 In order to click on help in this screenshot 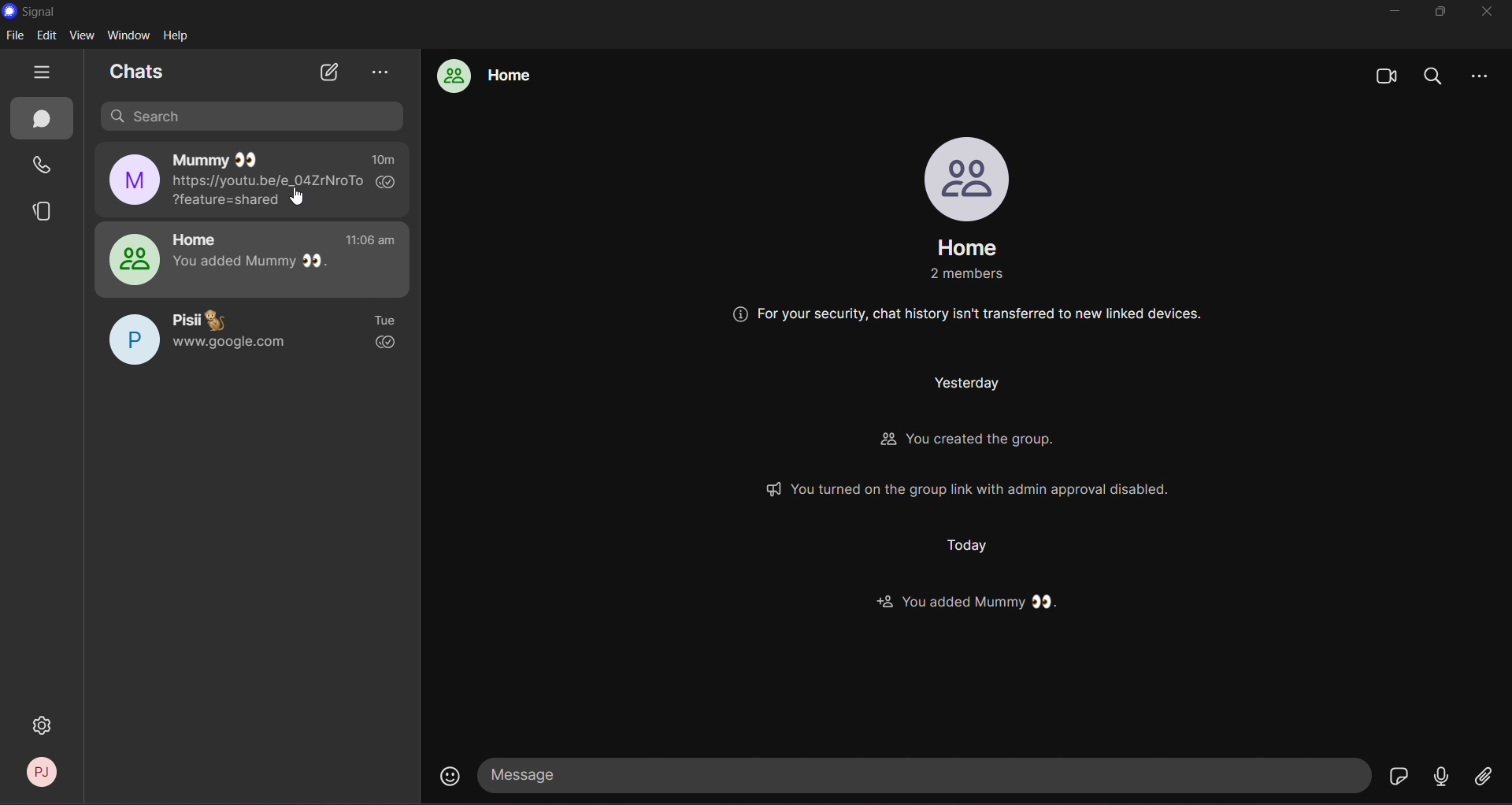, I will do `click(176, 36)`.